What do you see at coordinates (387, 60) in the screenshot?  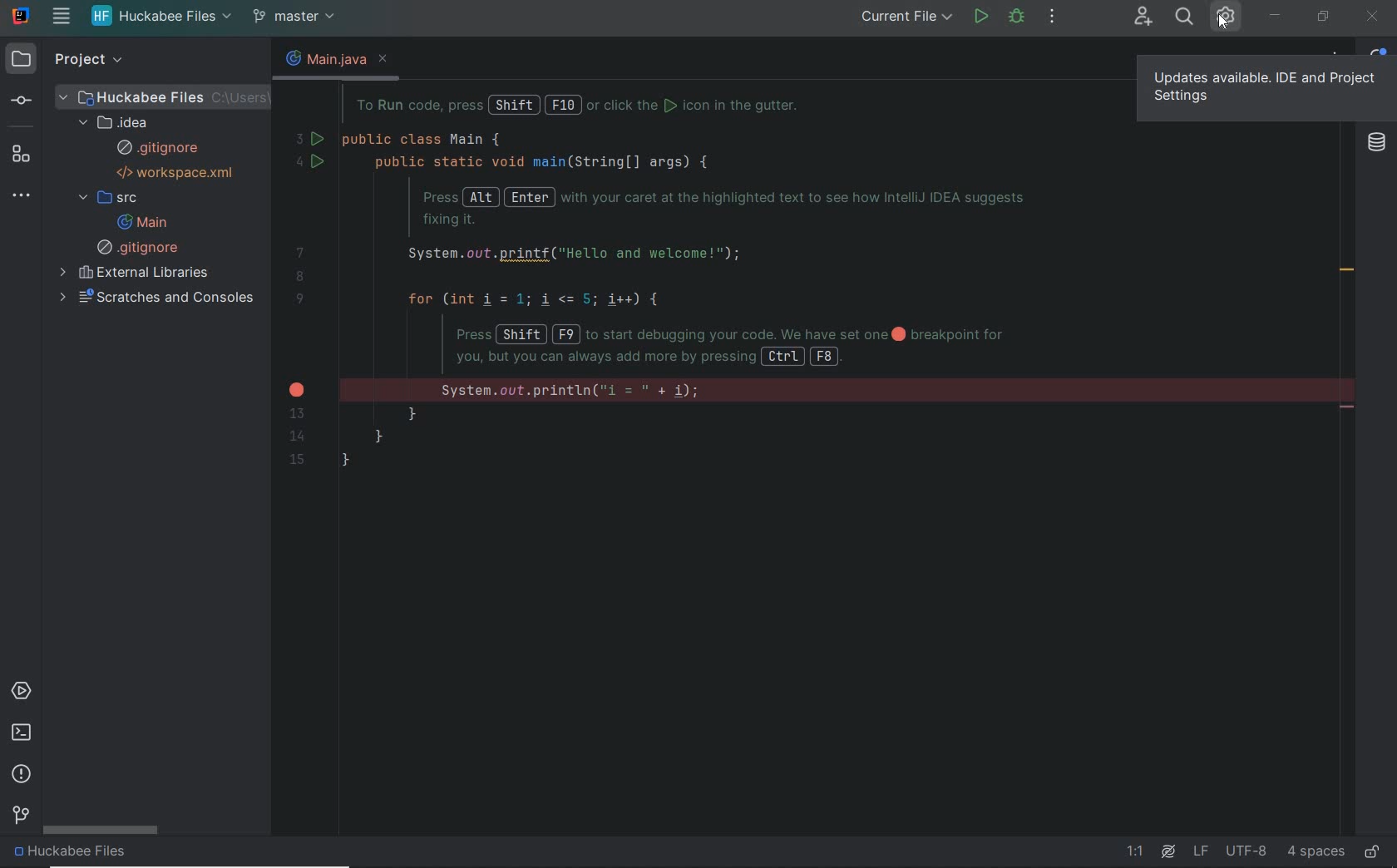 I see `close` at bounding box center [387, 60].